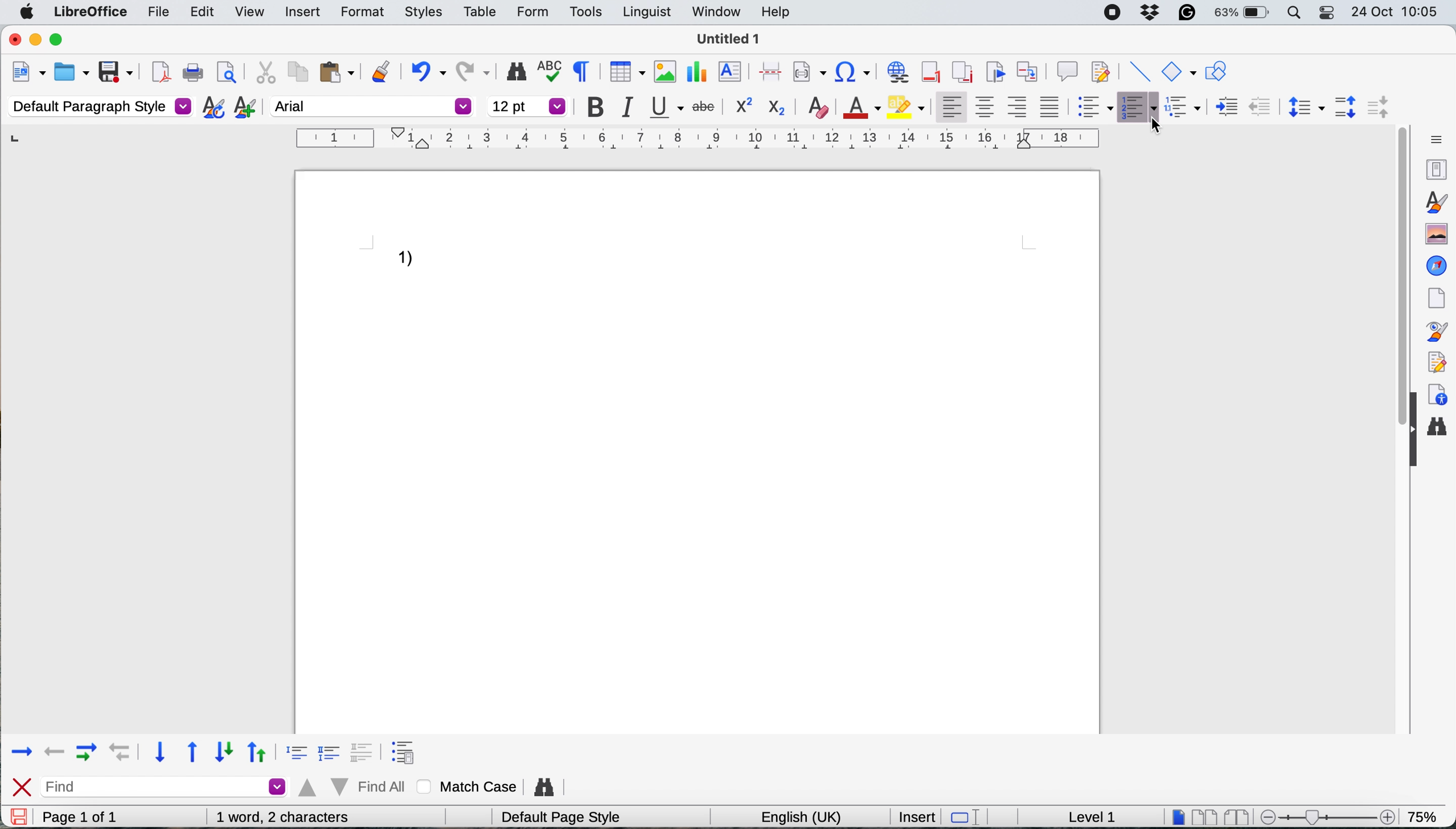 This screenshot has height=829, width=1456. Describe the element at coordinates (1434, 137) in the screenshot. I see `sidebar settings` at that location.